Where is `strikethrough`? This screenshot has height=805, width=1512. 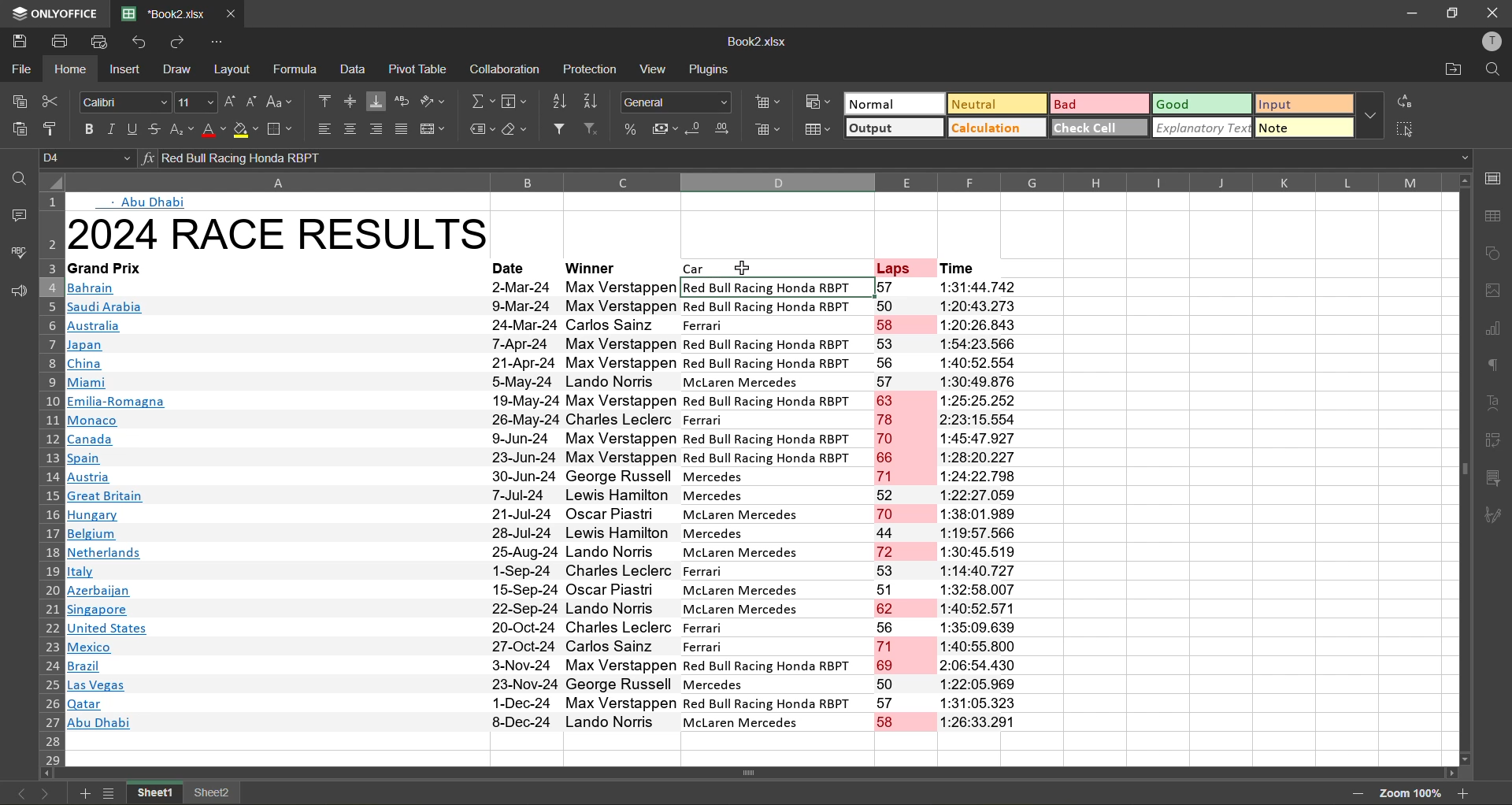
strikethrough is located at coordinates (157, 130).